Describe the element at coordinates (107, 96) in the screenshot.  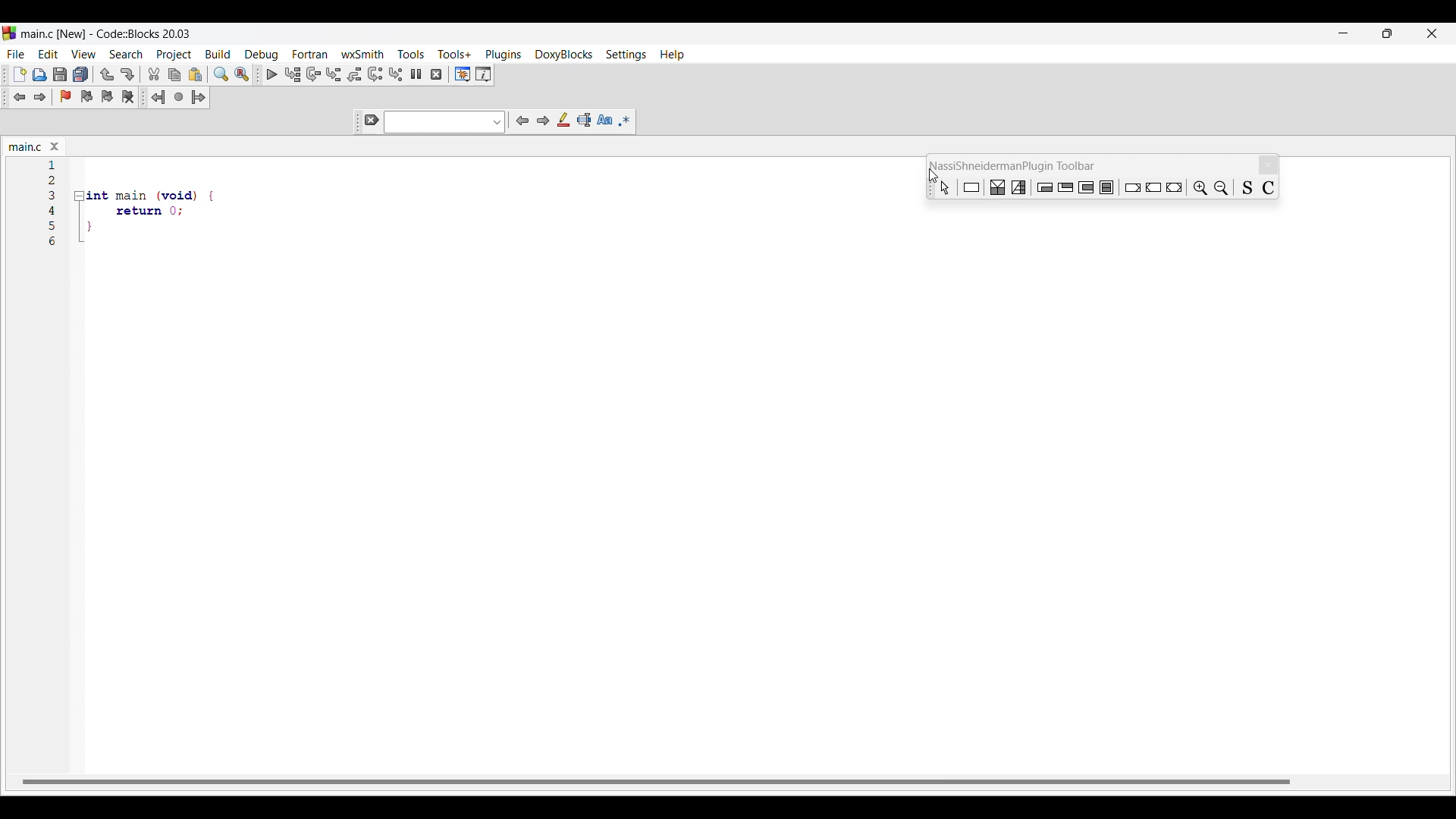
I see `Next bookmark` at that location.